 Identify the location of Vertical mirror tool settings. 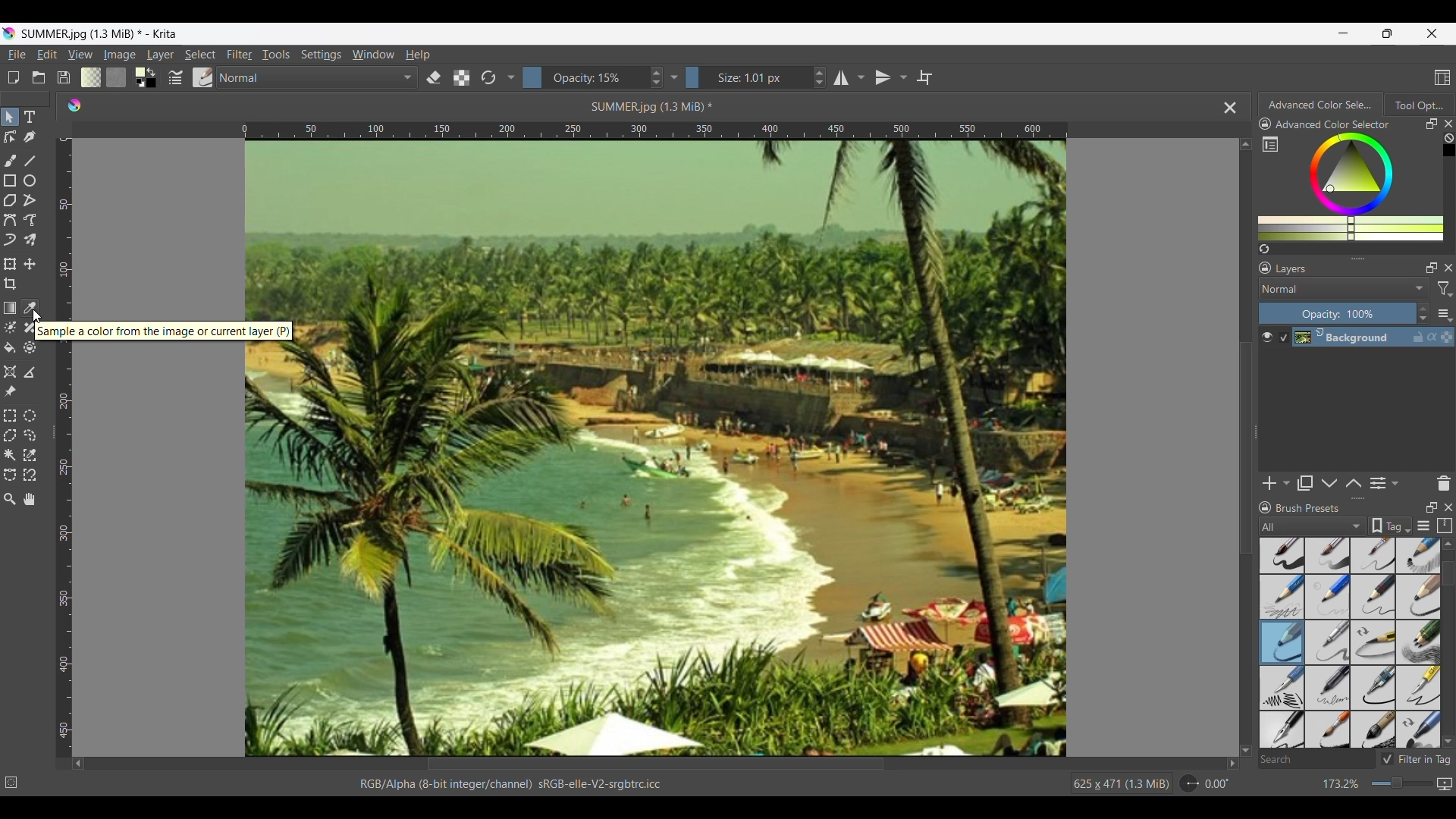
(903, 77).